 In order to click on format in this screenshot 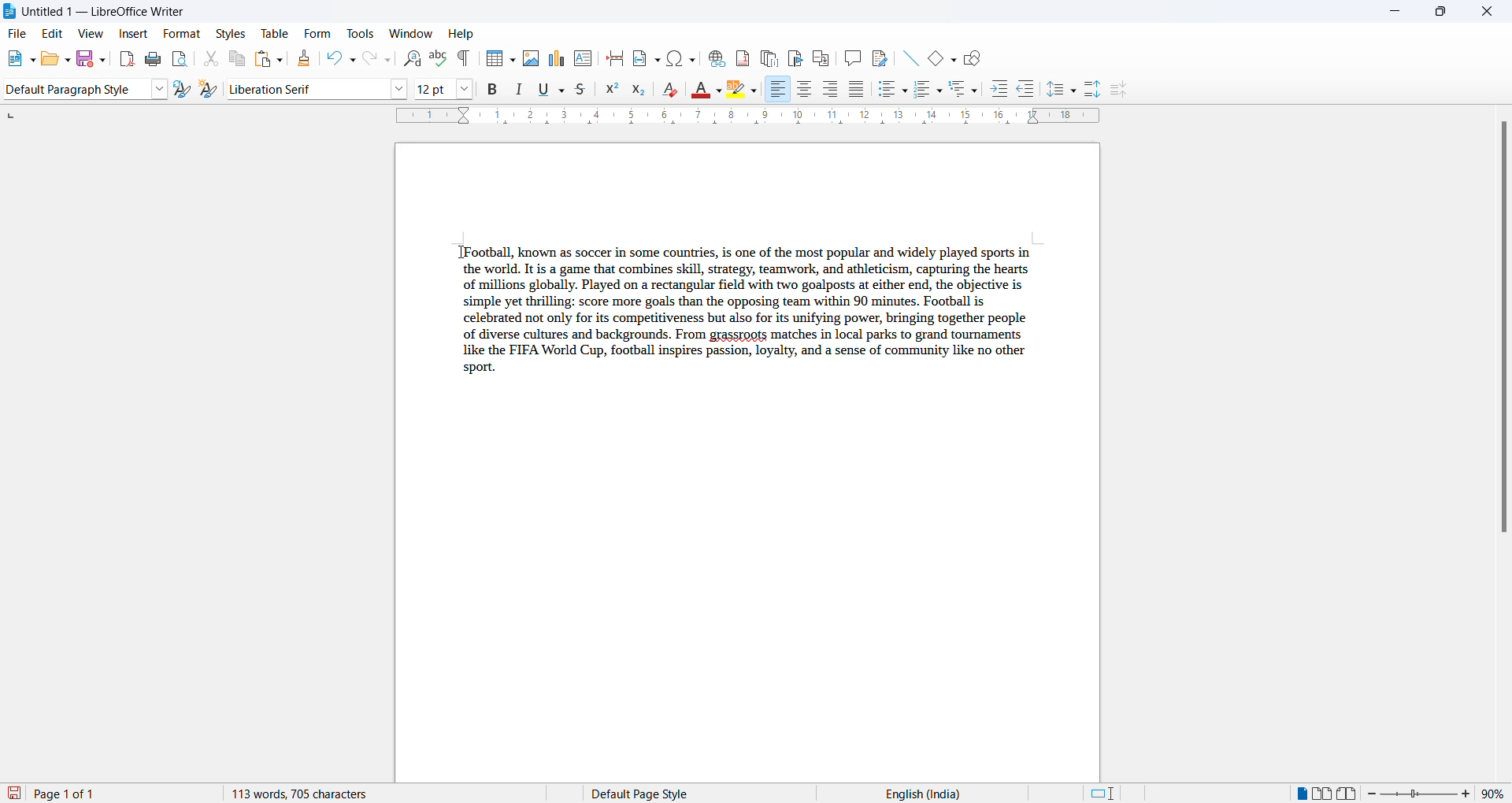, I will do `click(180, 35)`.